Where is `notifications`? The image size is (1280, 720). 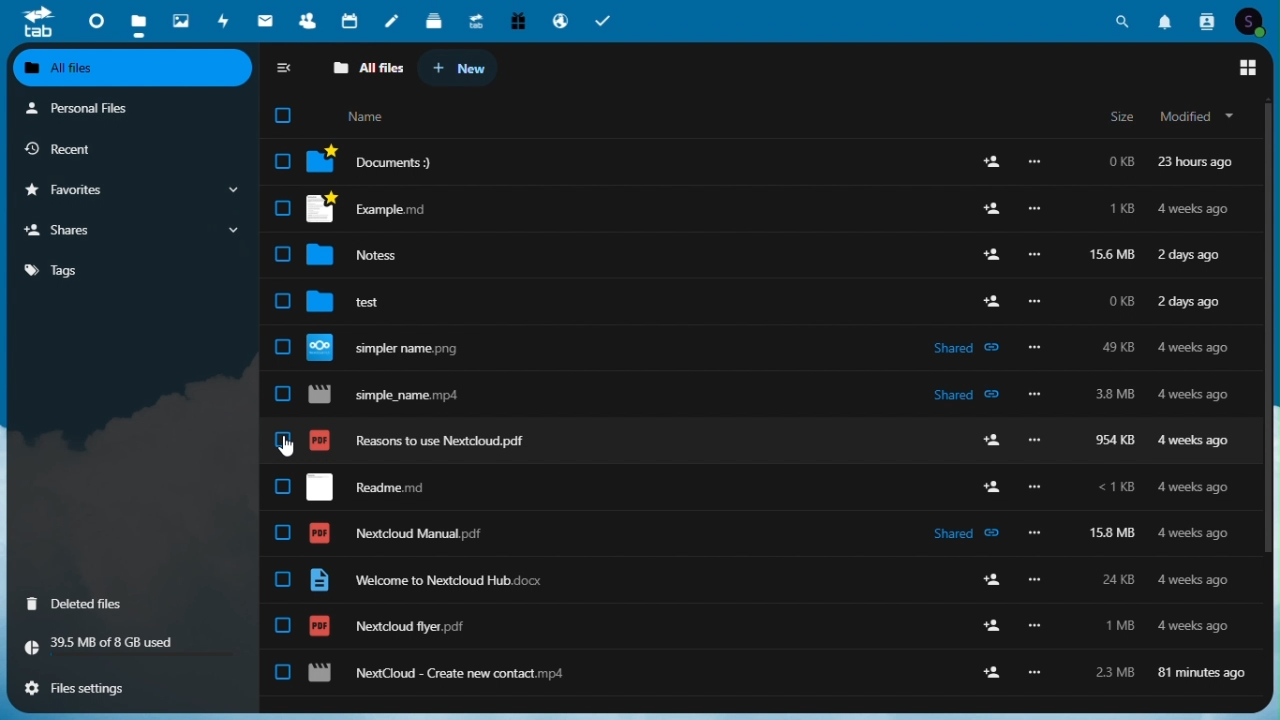
notifications is located at coordinates (1166, 20).